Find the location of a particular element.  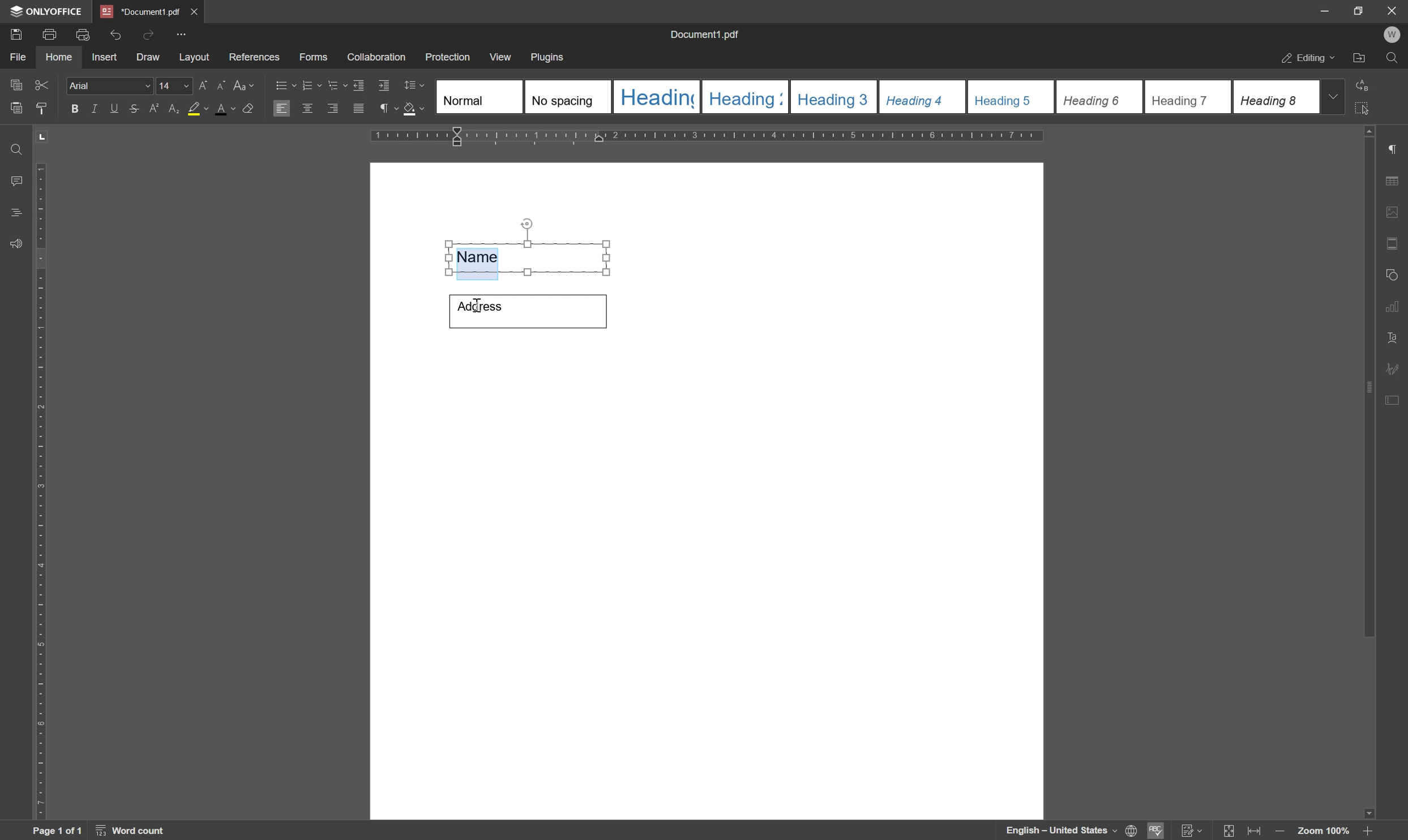

references is located at coordinates (254, 57).